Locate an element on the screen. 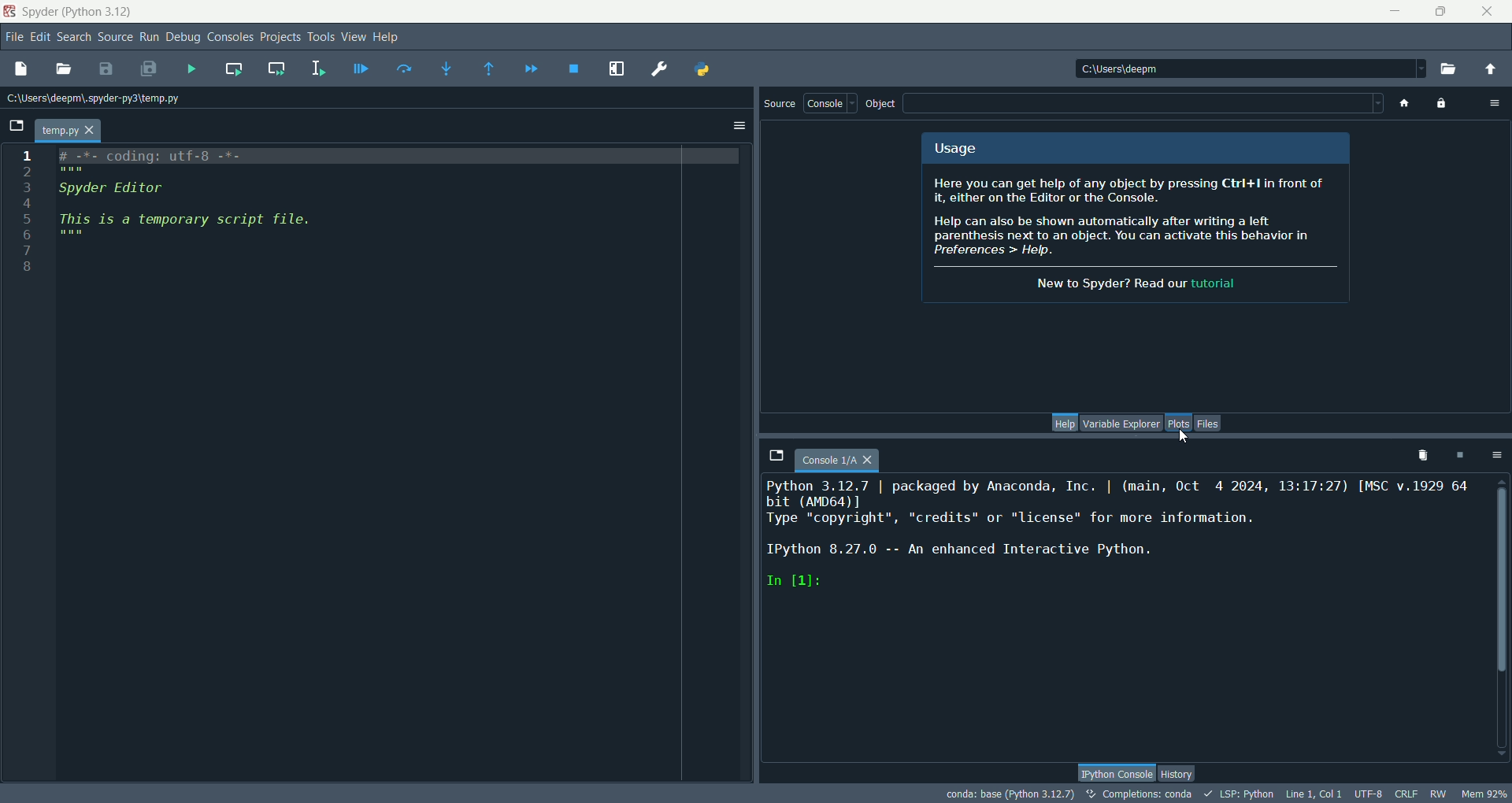 The height and width of the screenshot is (803, 1512). save is located at coordinates (106, 67).